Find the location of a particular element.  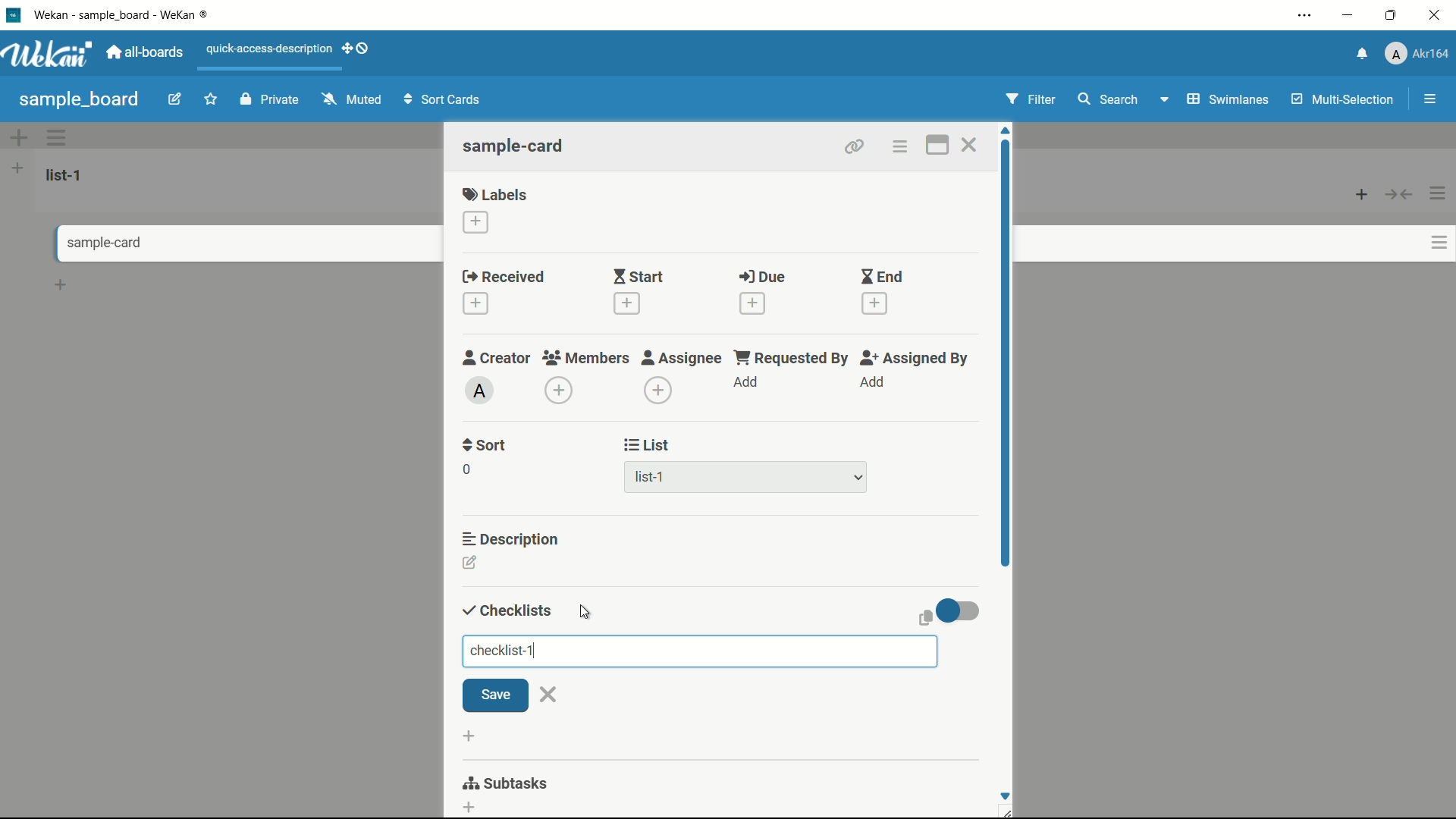

requested by is located at coordinates (792, 357).